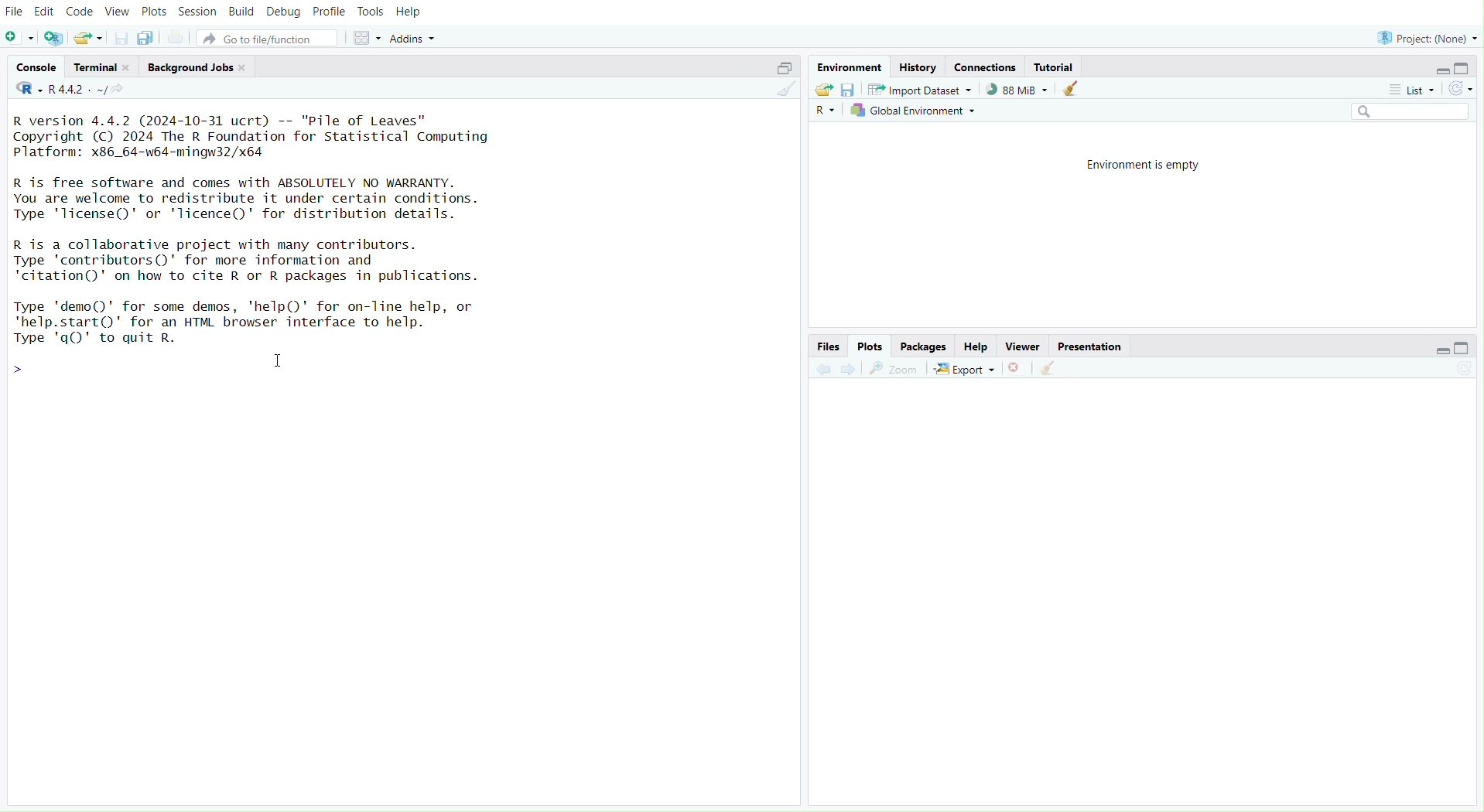  What do you see at coordinates (783, 90) in the screenshot?
I see `Clear console (Ctrl + L)` at bounding box center [783, 90].